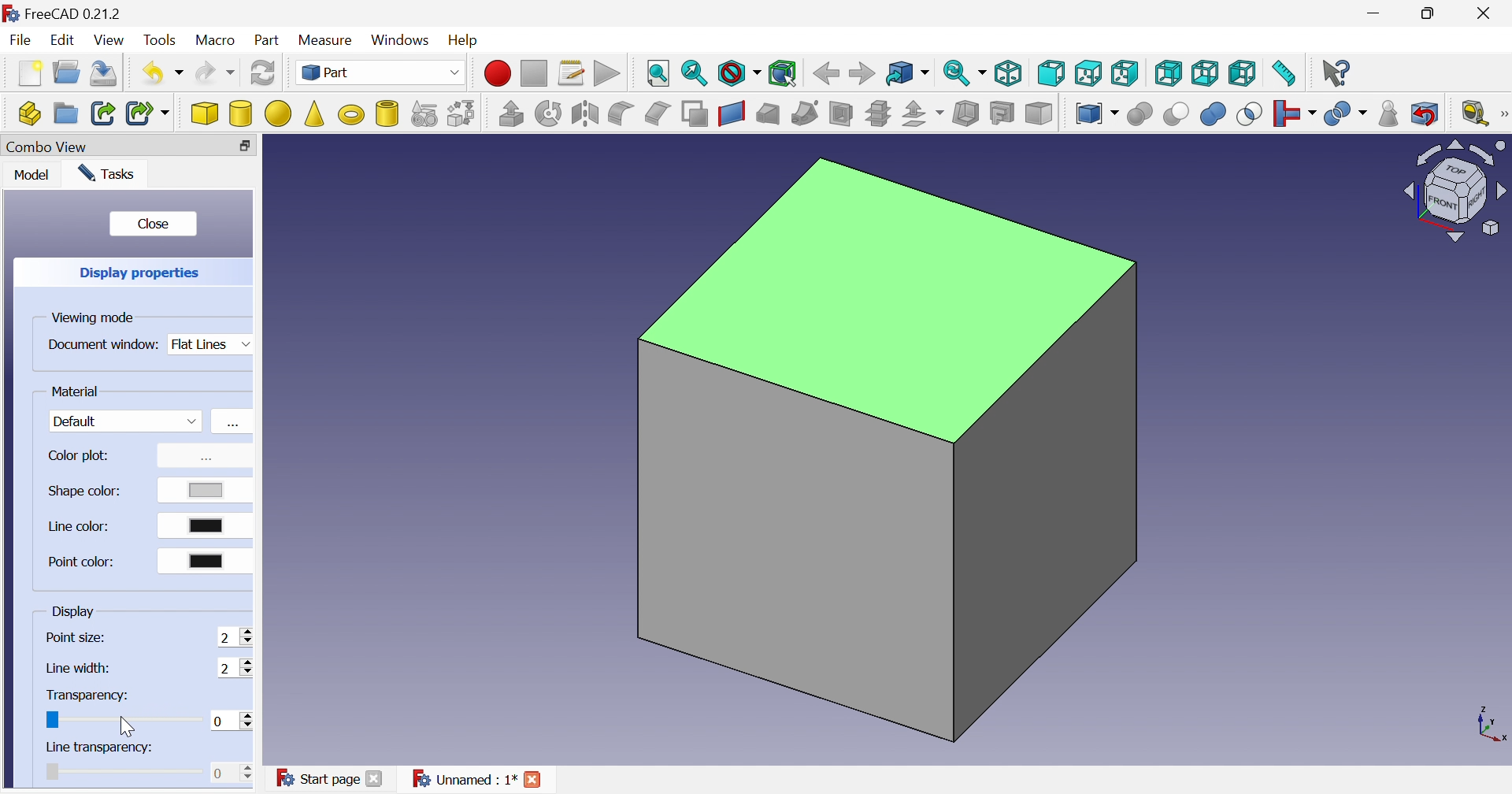 Image resolution: width=1512 pixels, height=794 pixels. I want to click on Mirroring, so click(584, 113).